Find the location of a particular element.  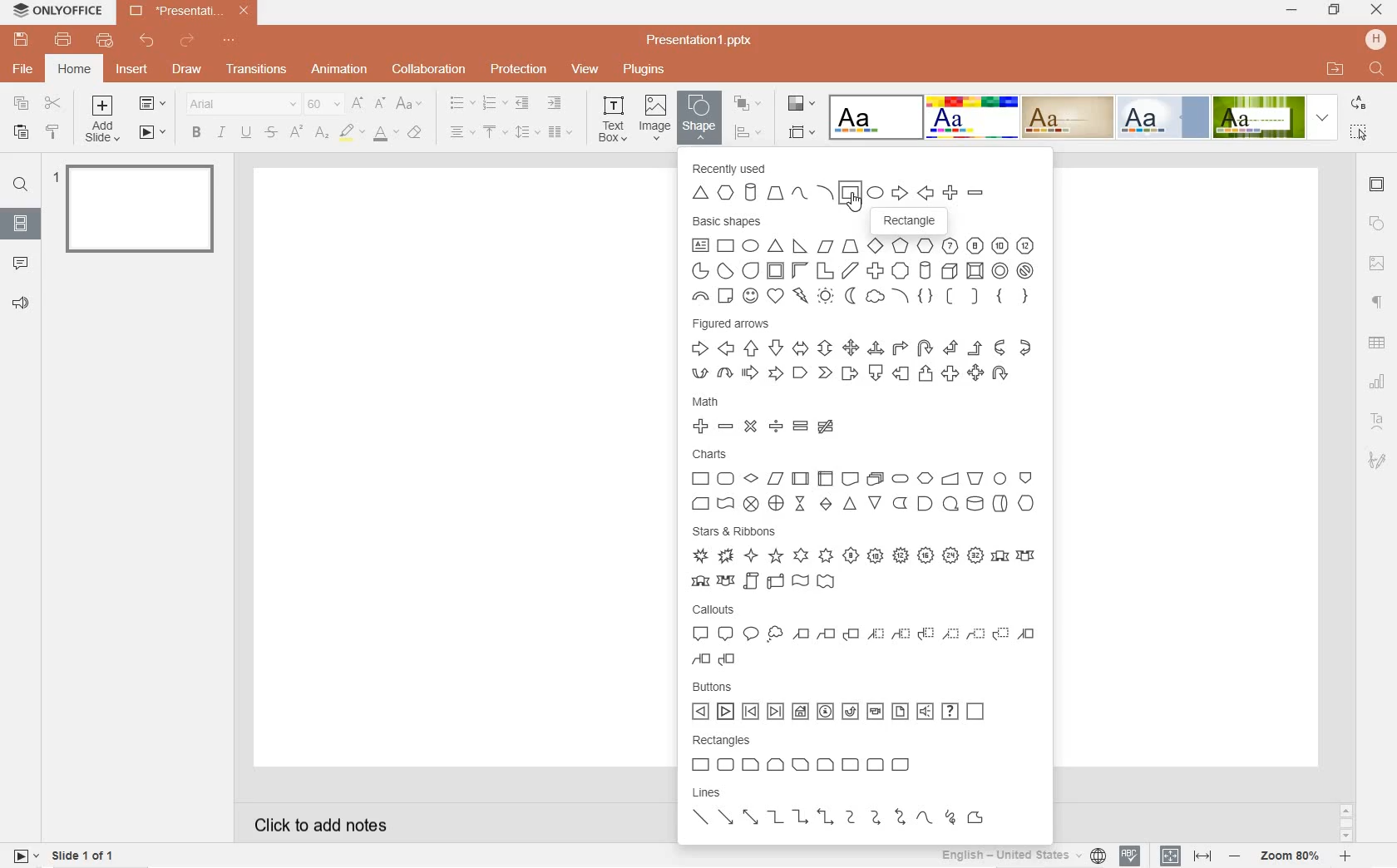

Triangle is located at coordinates (776, 246).